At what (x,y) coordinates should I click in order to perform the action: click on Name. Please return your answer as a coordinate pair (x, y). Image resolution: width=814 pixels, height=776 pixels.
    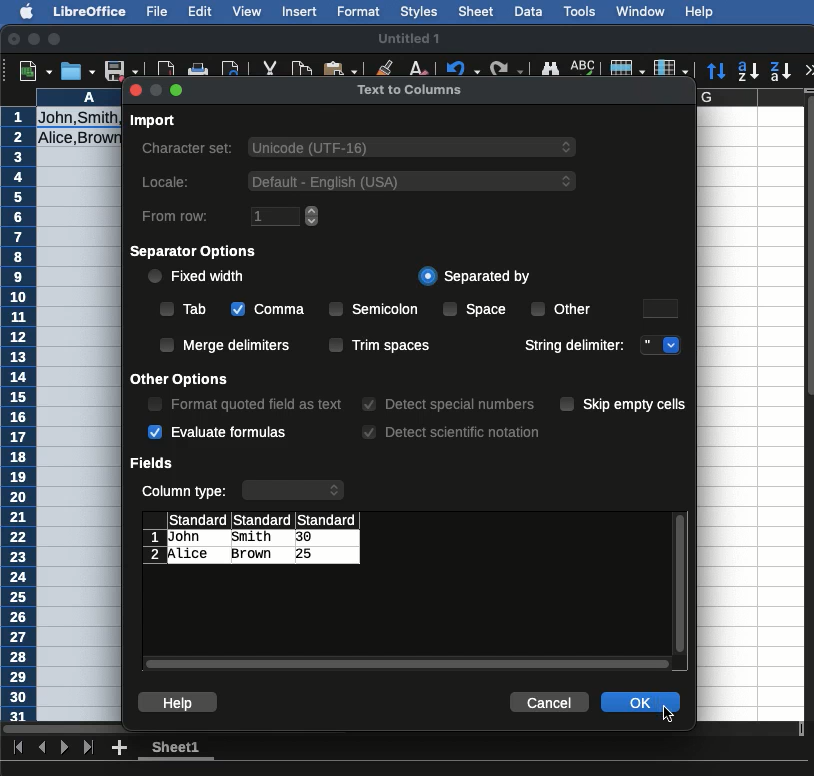
    Looking at the image, I should click on (413, 40).